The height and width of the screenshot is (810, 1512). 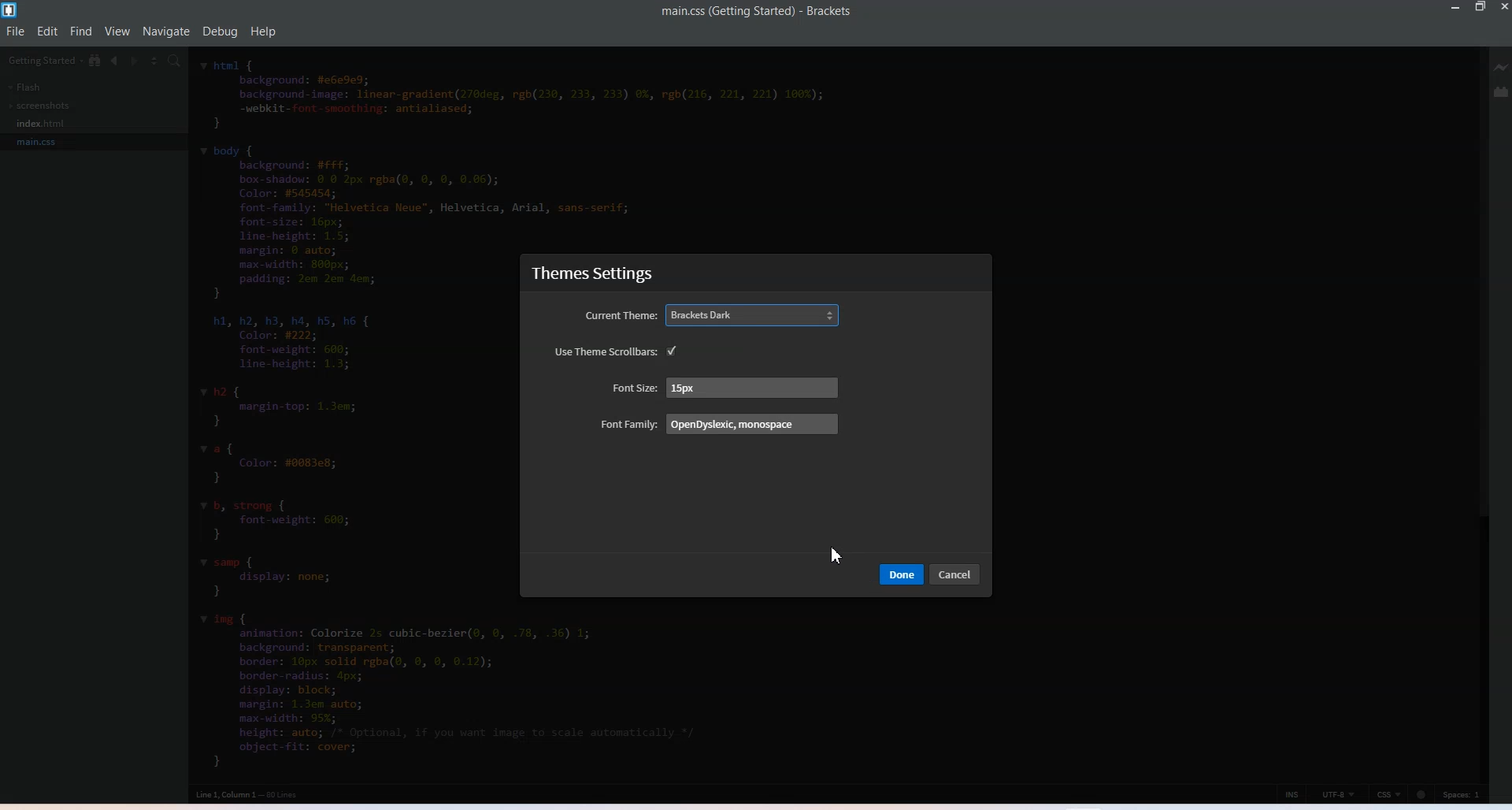 What do you see at coordinates (156, 61) in the screenshot?
I see `Split screen vertically and Horizontally` at bounding box center [156, 61].